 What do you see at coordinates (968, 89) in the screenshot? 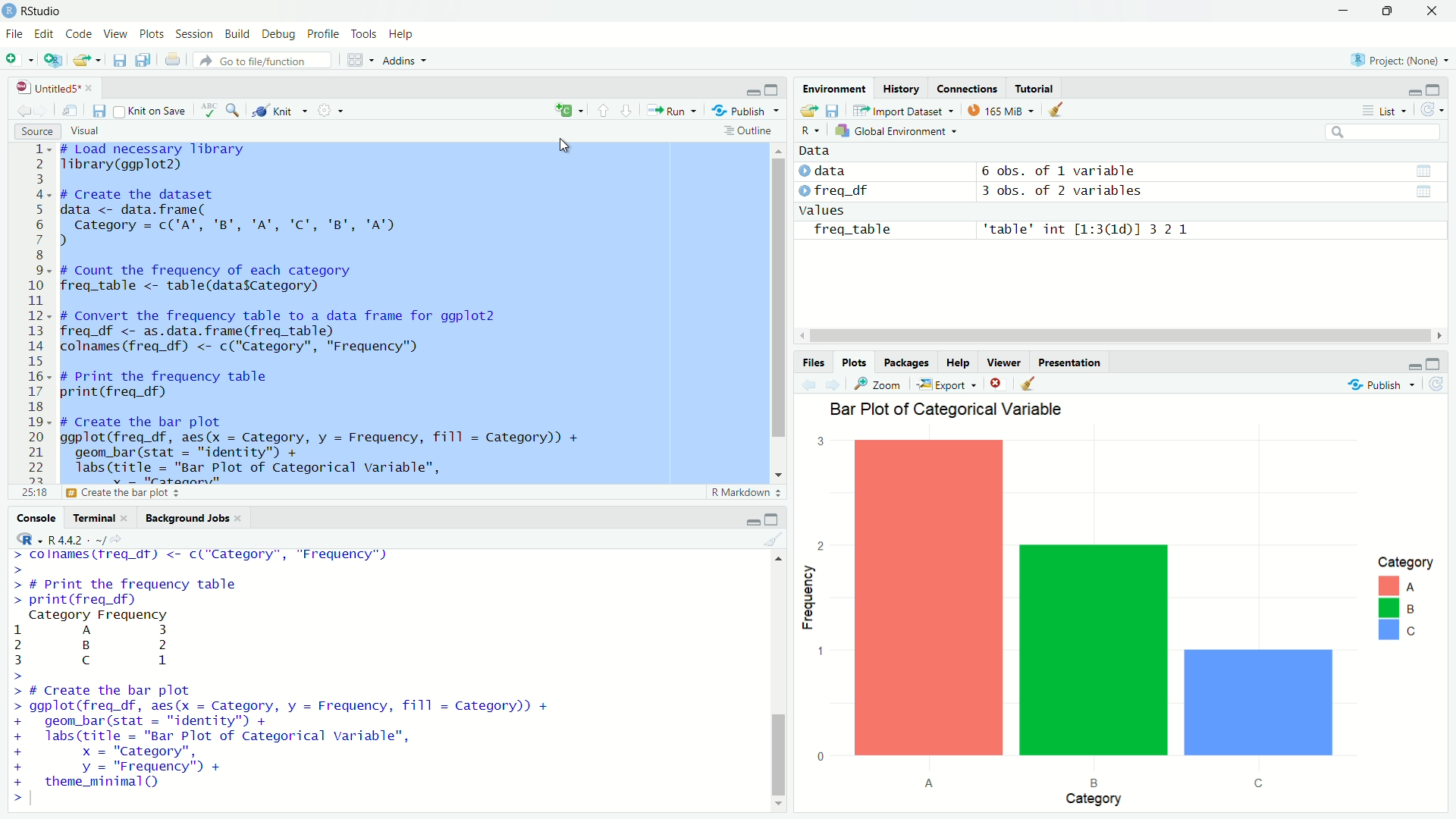
I see `connections` at bounding box center [968, 89].